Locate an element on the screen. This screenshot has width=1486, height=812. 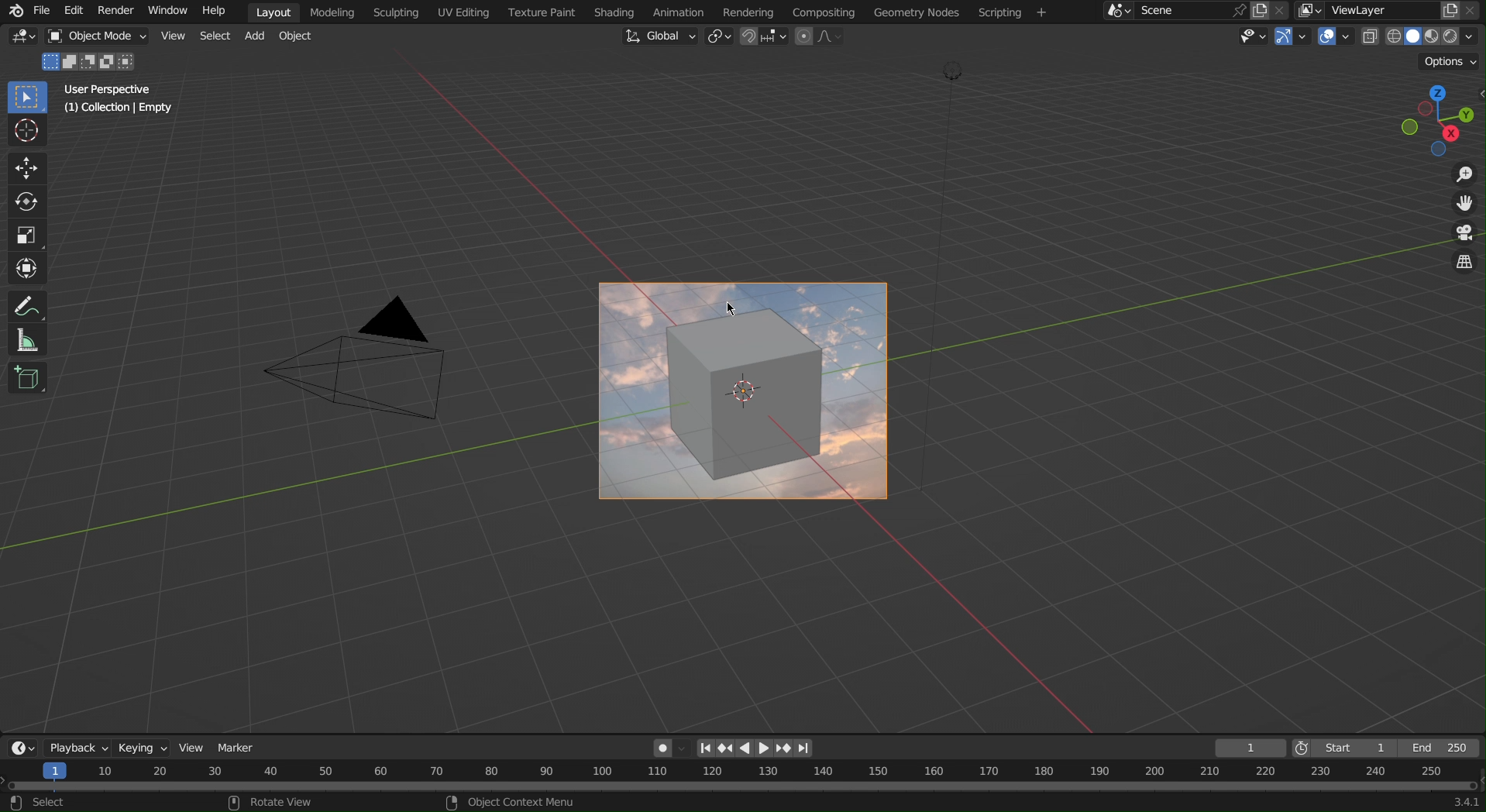
Editor Type is located at coordinates (24, 39).